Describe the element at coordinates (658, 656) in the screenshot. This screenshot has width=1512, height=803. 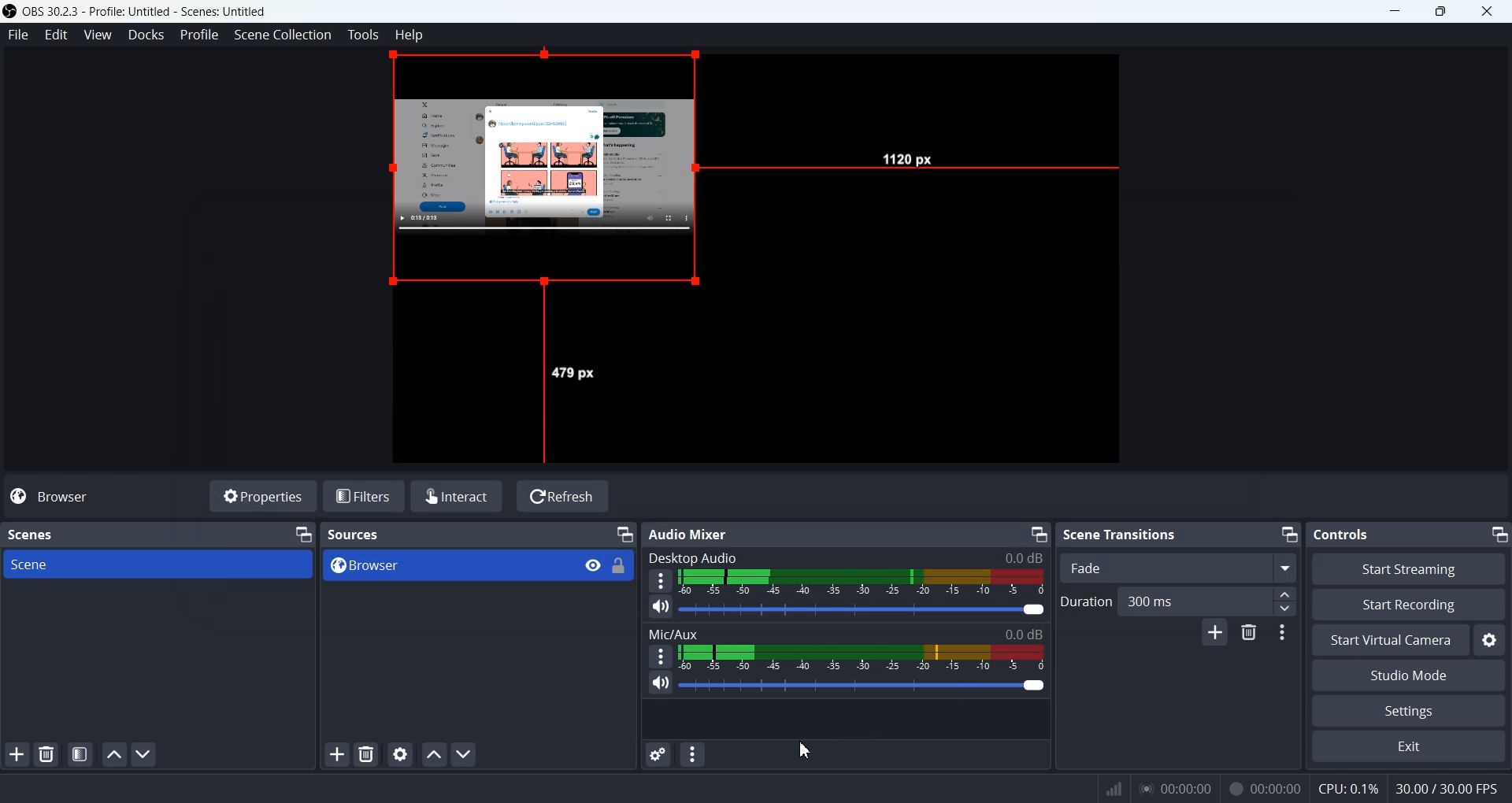
I see `More` at that location.